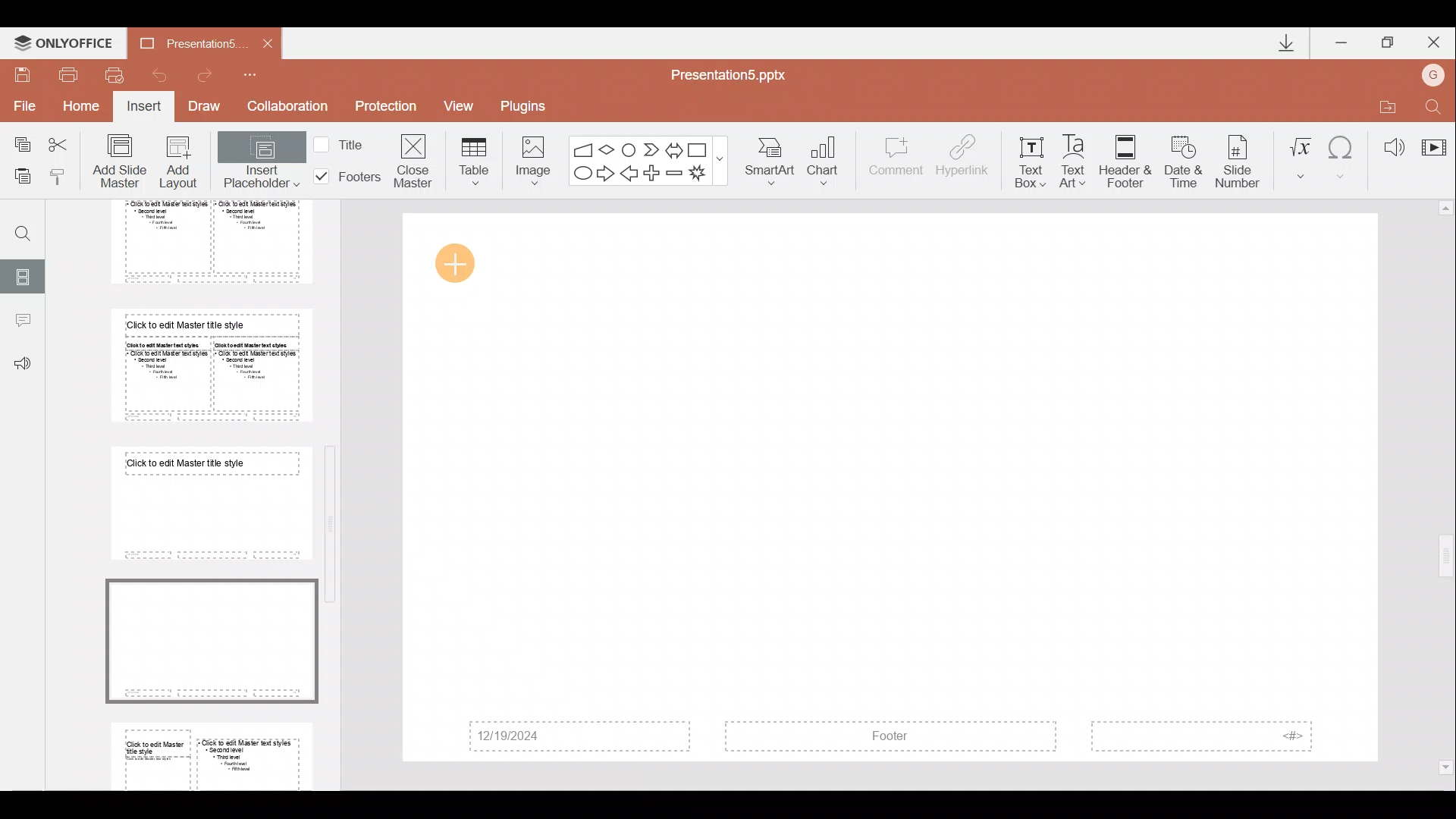 The height and width of the screenshot is (819, 1456). What do you see at coordinates (1077, 157) in the screenshot?
I see `Text Art` at bounding box center [1077, 157].